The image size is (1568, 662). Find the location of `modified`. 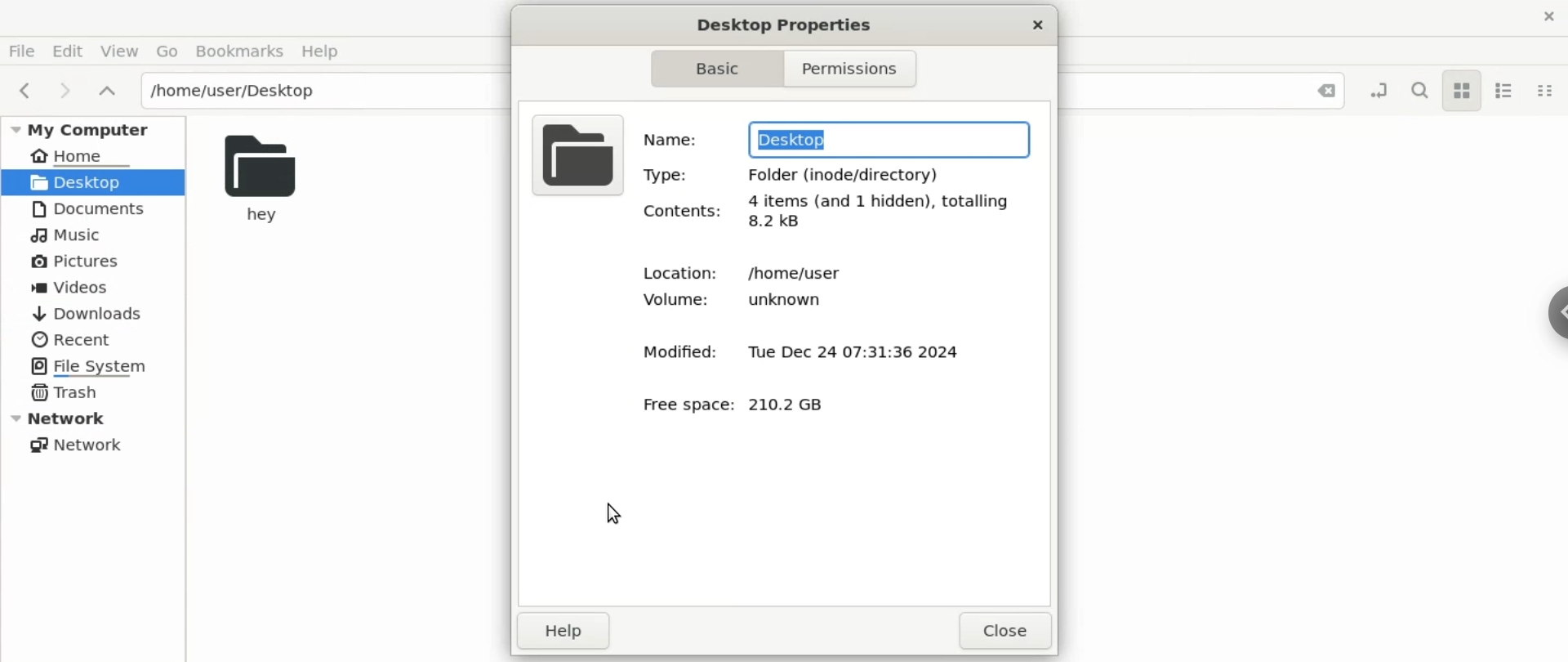

modified is located at coordinates (667, 351).